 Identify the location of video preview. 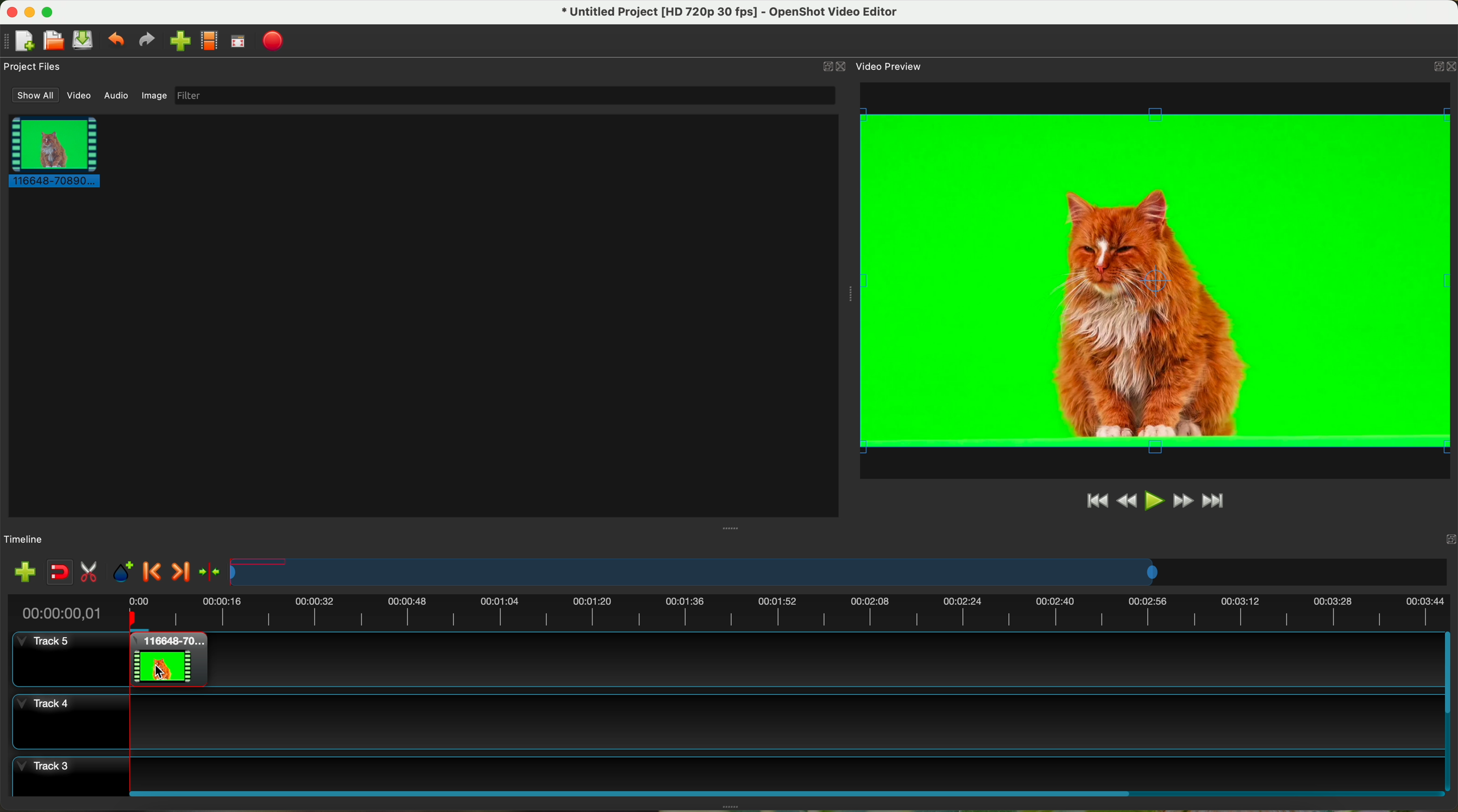
(891, 66).